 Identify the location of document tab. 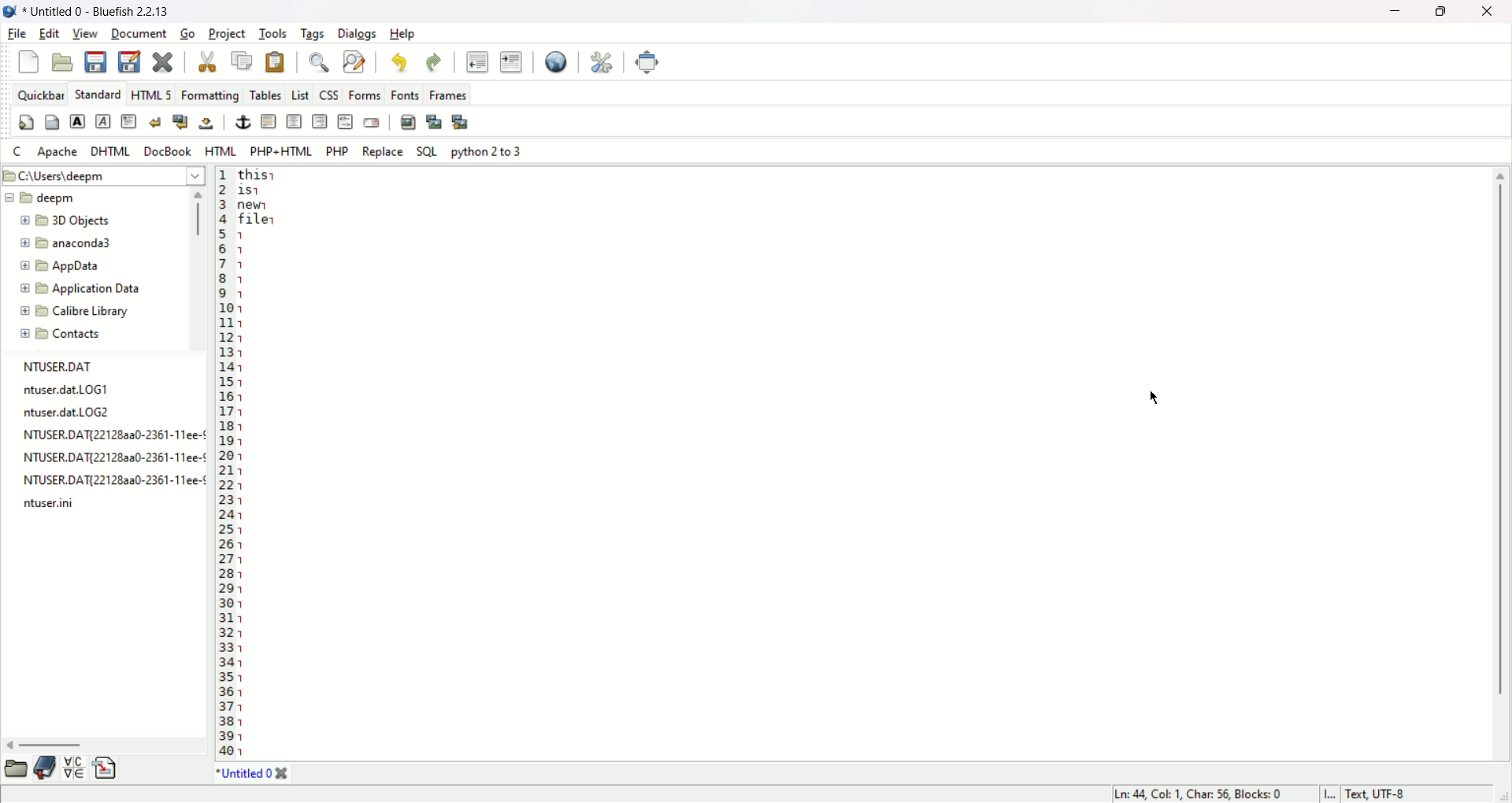
(245, 776).